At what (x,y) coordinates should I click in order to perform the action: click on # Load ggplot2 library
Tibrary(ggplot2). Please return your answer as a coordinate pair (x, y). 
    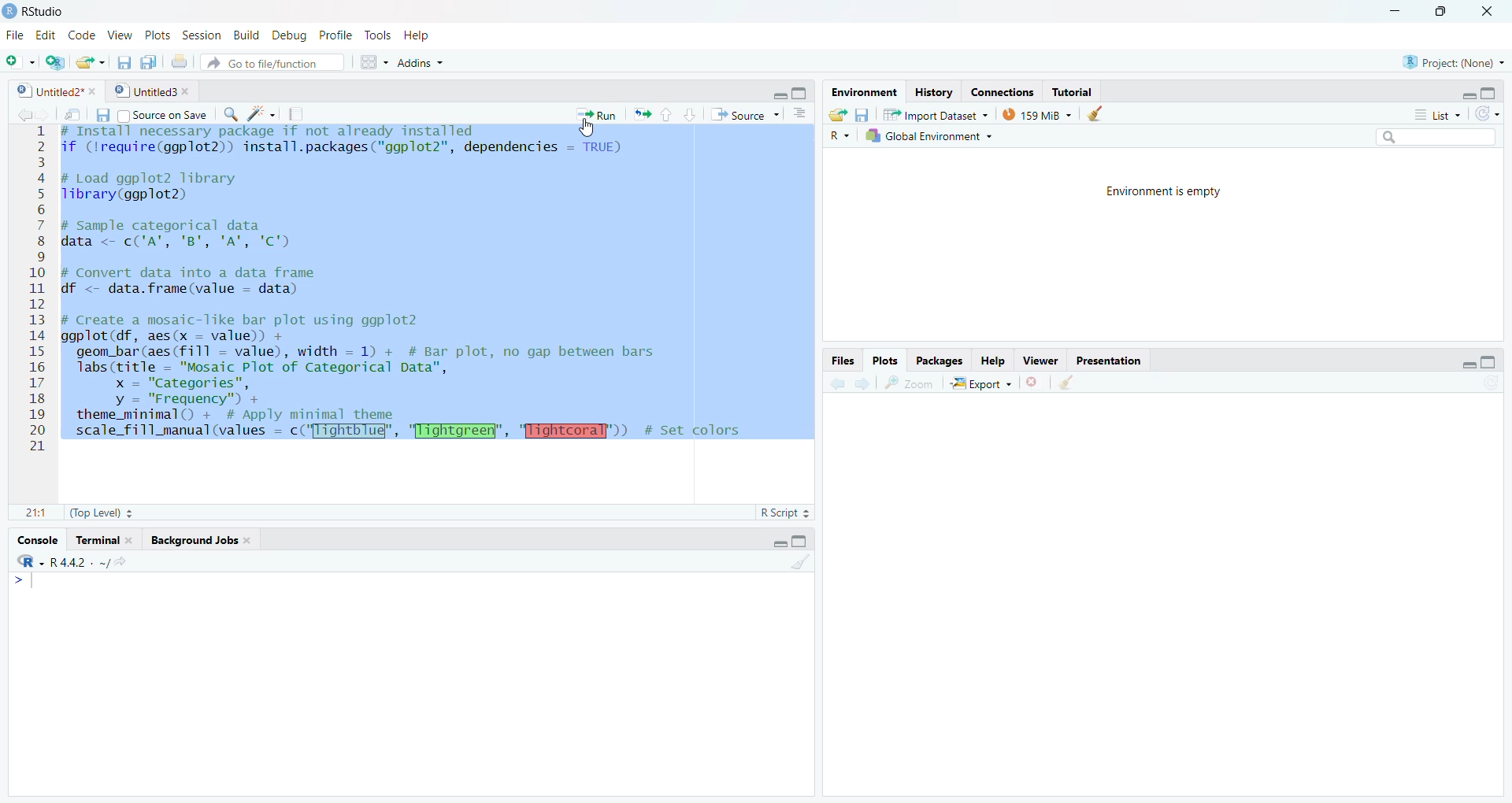
    Looking at the image, I should click on (154, 187).